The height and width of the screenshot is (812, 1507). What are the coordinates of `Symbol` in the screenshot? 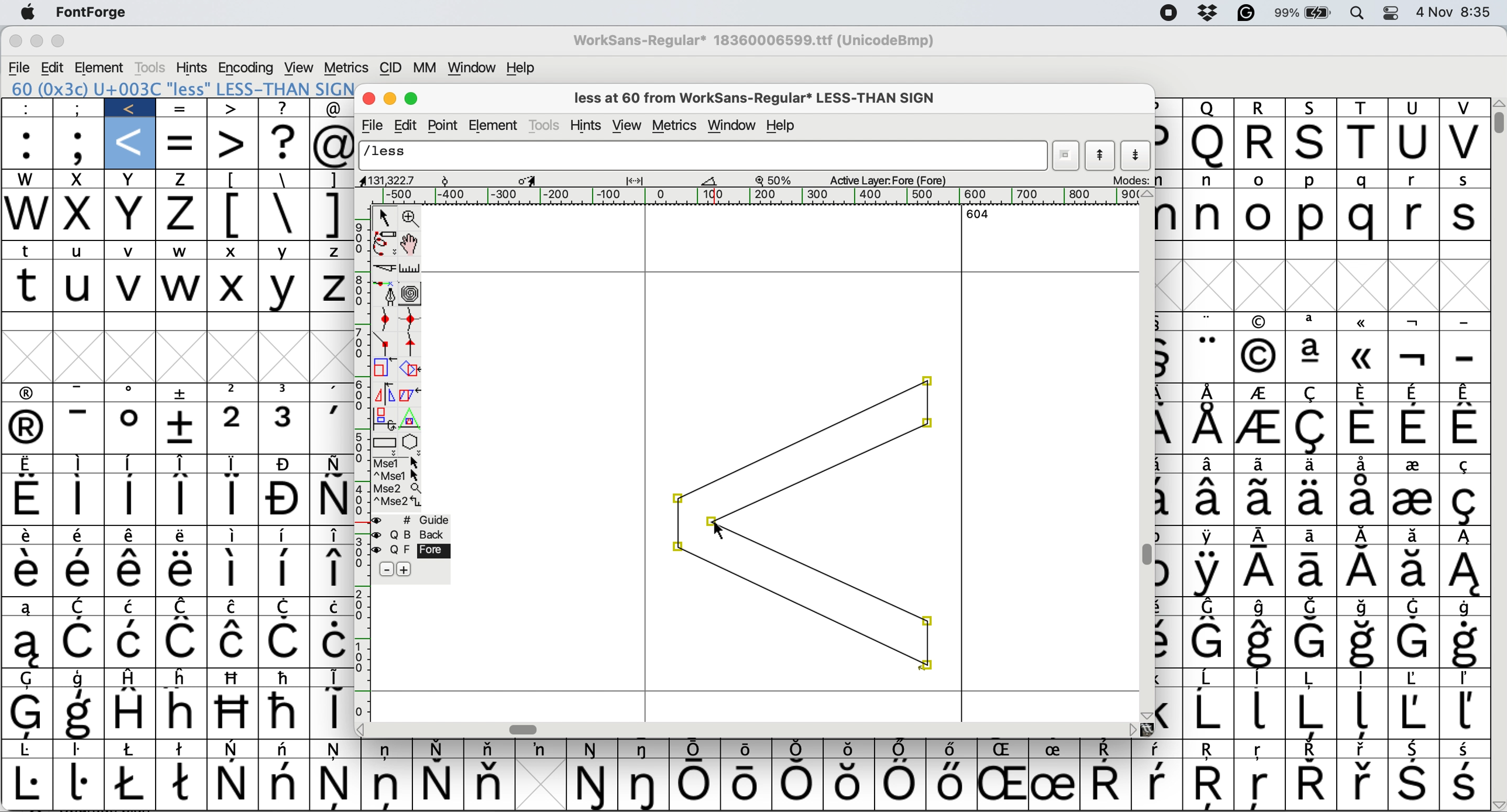 It's located at (1414, 644).